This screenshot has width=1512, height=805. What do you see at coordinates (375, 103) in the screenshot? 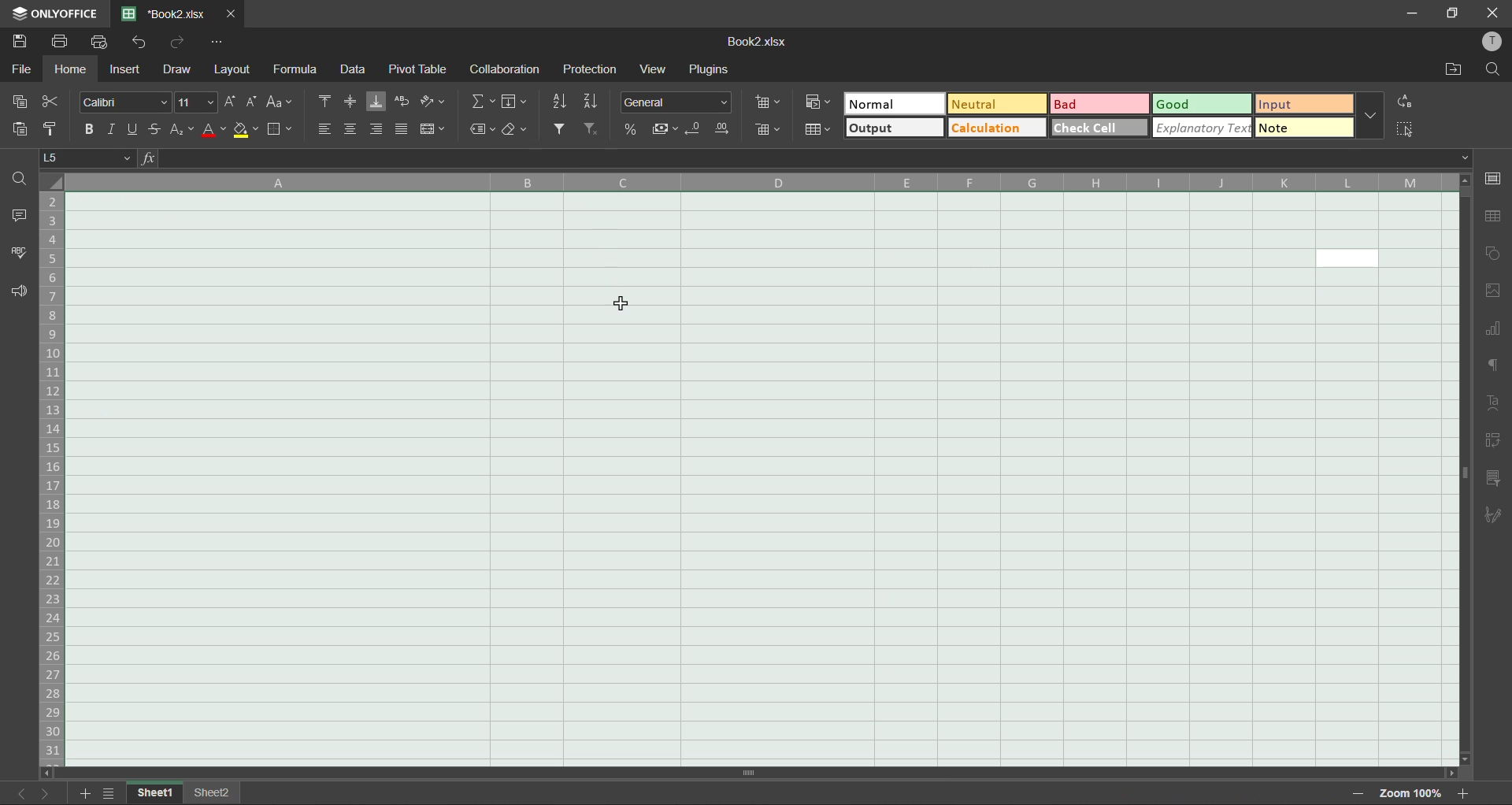
I see `align bottom` at bounding box center [375, 103].